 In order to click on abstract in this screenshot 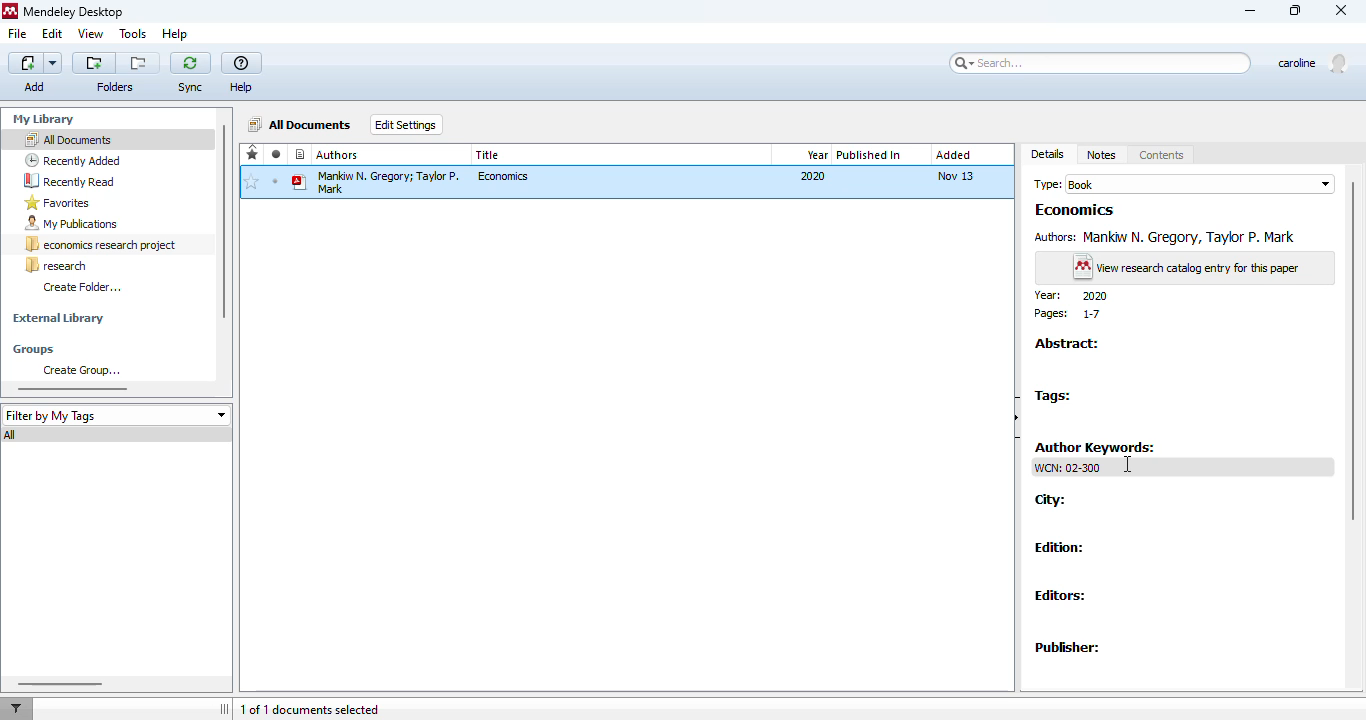, I will do `click(1068, 343)`.